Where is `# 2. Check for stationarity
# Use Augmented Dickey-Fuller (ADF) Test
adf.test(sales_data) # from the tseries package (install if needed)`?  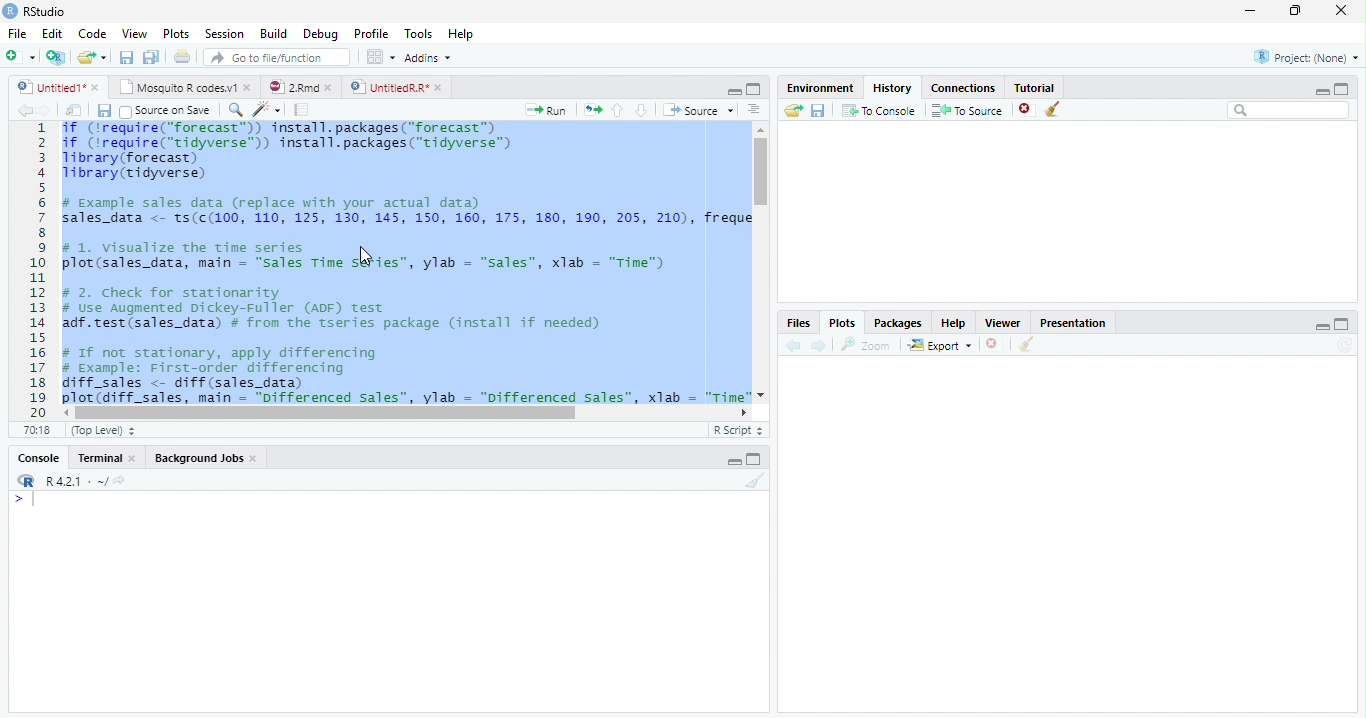
# 2. Check for stationarity
# Use Augmented Dickey-Fuller (ADF) Test
adf.test(sales_data) # from the tseries package (install if needed) is located at coordinates (332, 309).